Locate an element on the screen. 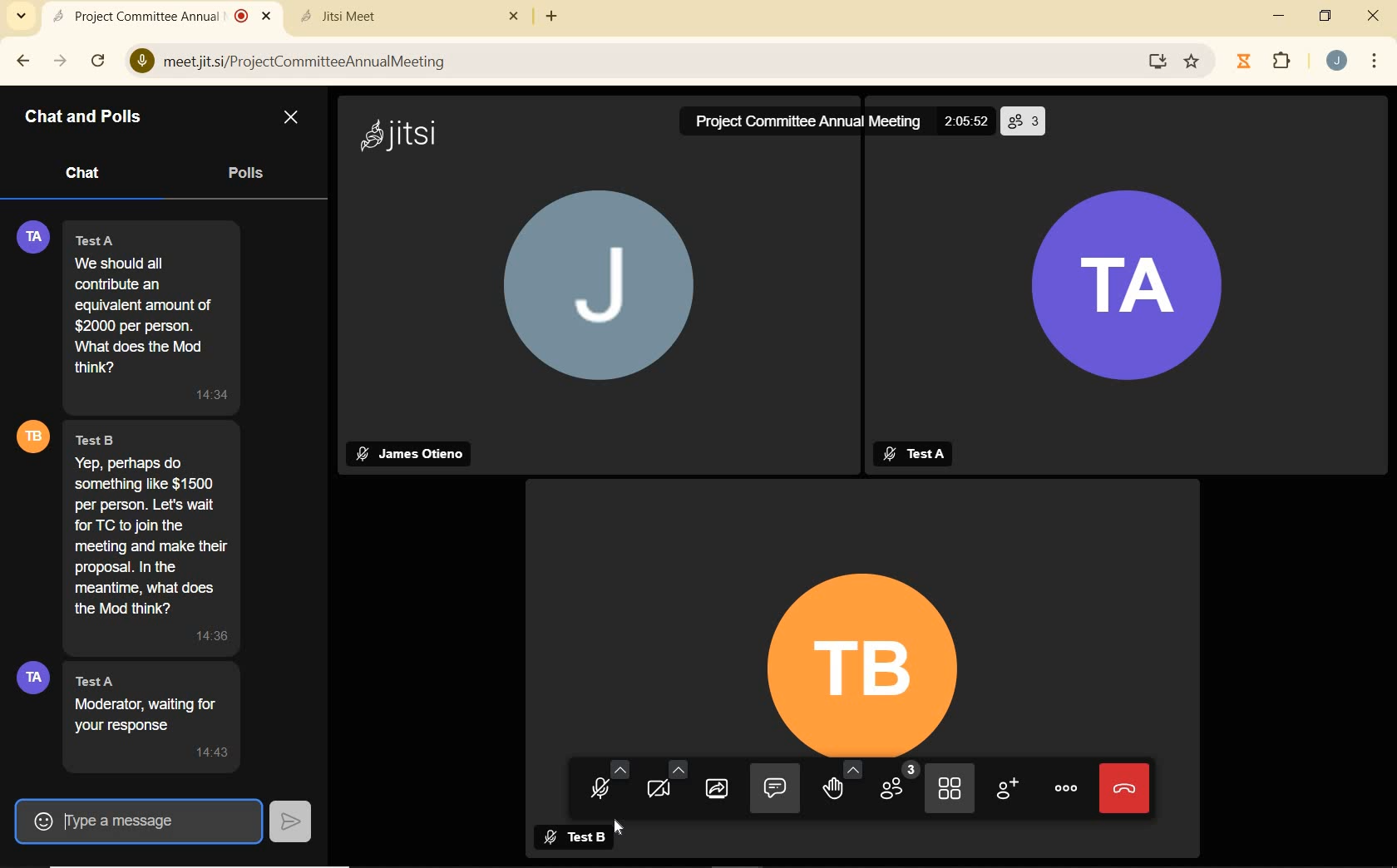 The image size is (1397, 868). Timestamp is located at coordinates (209, 395).